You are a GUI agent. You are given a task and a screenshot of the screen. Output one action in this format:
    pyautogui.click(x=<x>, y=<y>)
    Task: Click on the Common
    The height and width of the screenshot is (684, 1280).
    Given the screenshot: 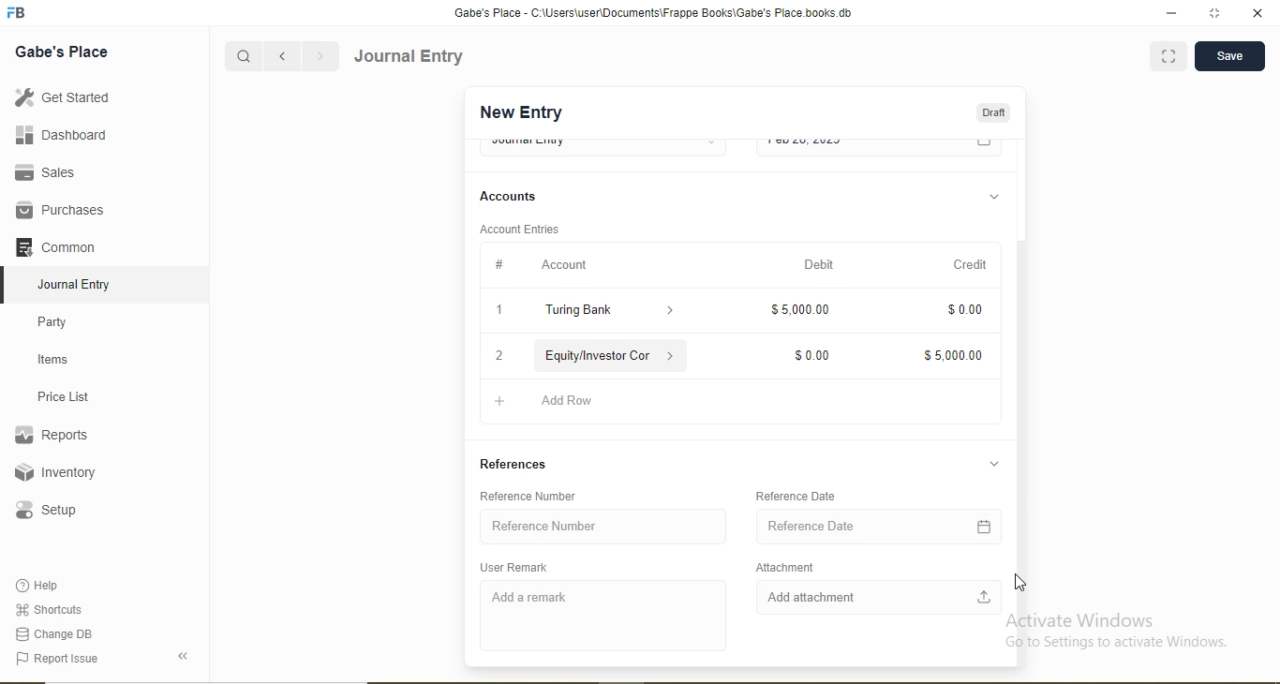 What is the action you would take?
    pyautogui.click(x=54, y=246)
    